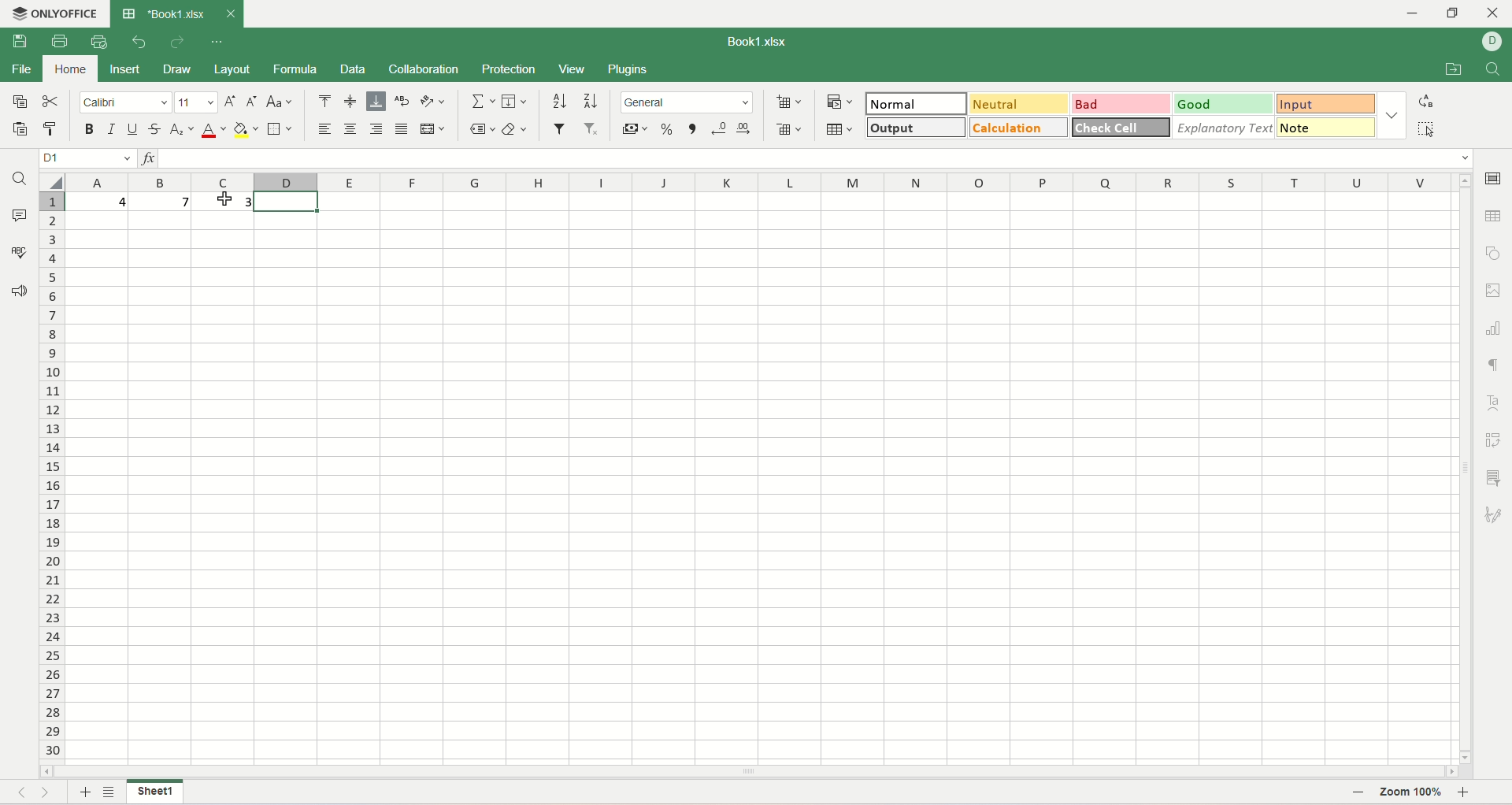 The image size is (1512, 805). I want to click on layout, so click(231, 69).